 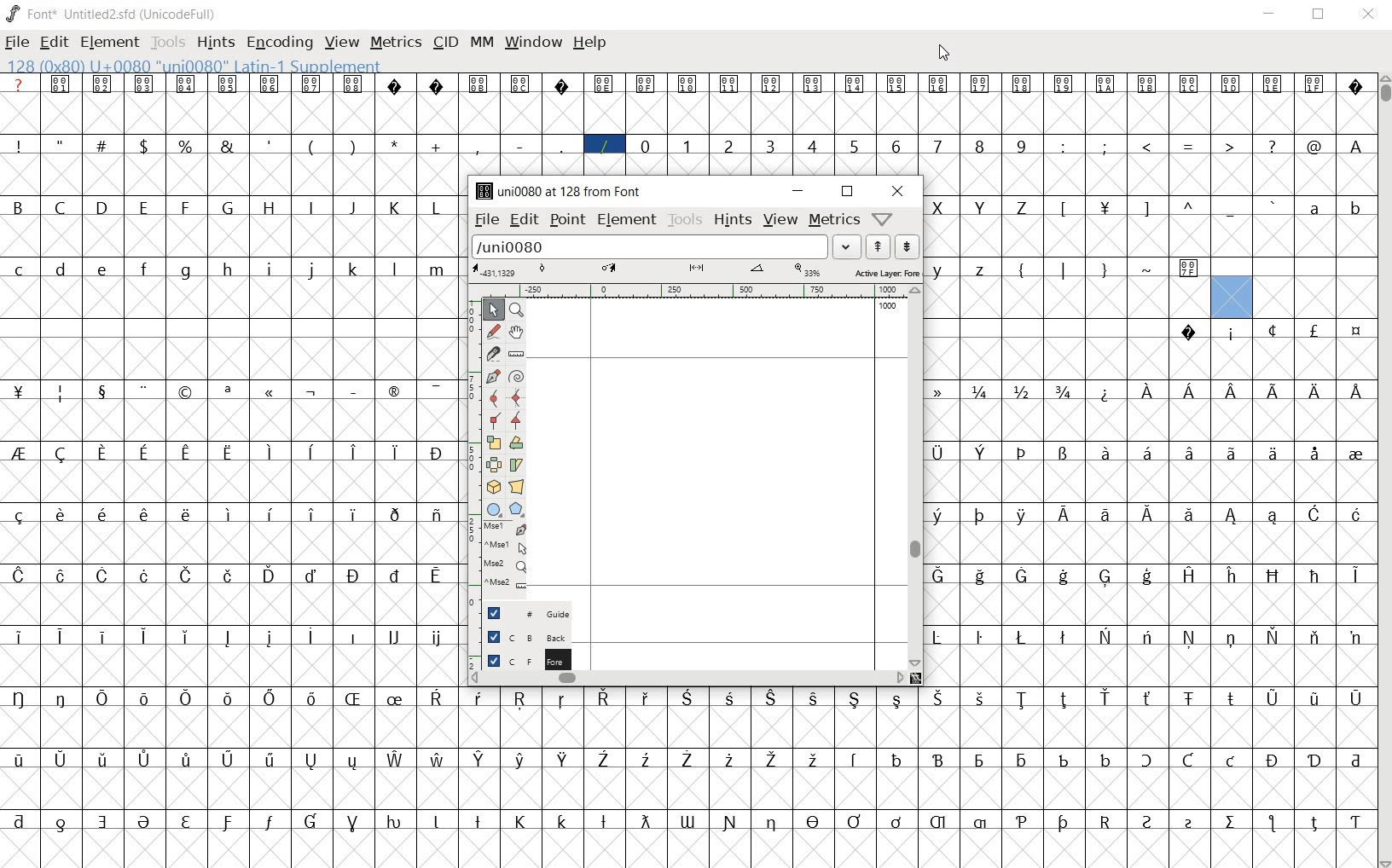 I want to click on glyph, so click(x=1317, y=392).